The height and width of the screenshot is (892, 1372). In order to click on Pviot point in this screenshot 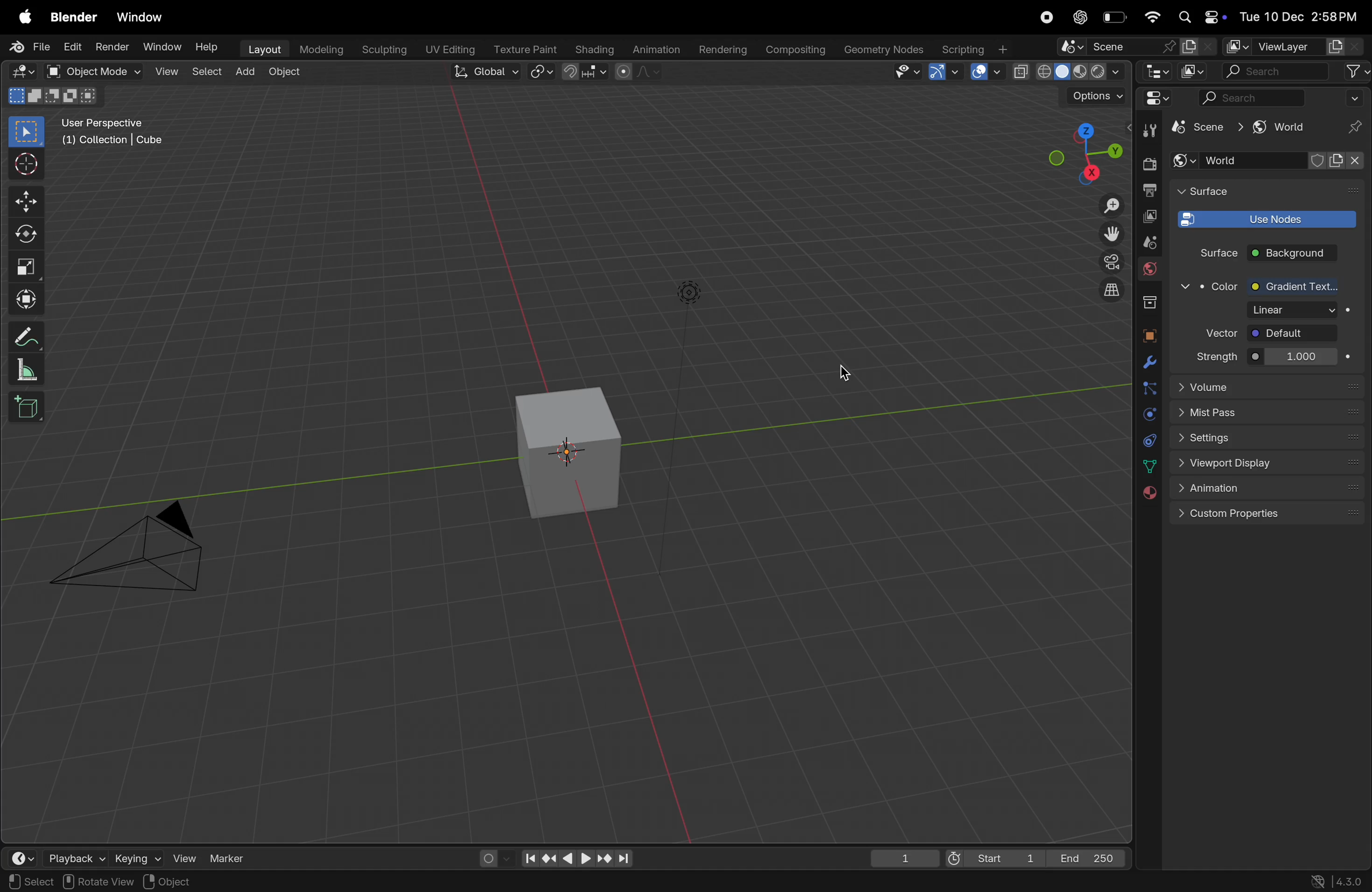, I will do `click(542, 73)`.